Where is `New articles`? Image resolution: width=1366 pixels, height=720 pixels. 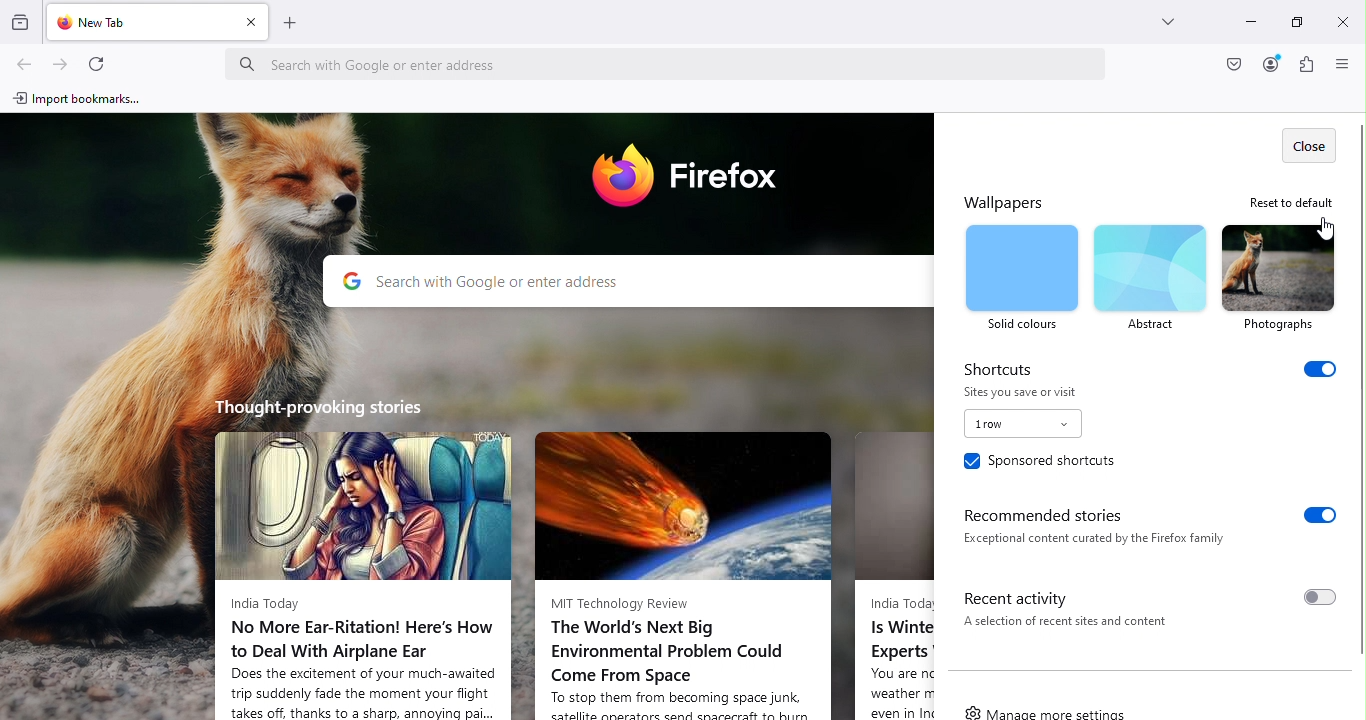 New articles is located at coordinates (891, 564).